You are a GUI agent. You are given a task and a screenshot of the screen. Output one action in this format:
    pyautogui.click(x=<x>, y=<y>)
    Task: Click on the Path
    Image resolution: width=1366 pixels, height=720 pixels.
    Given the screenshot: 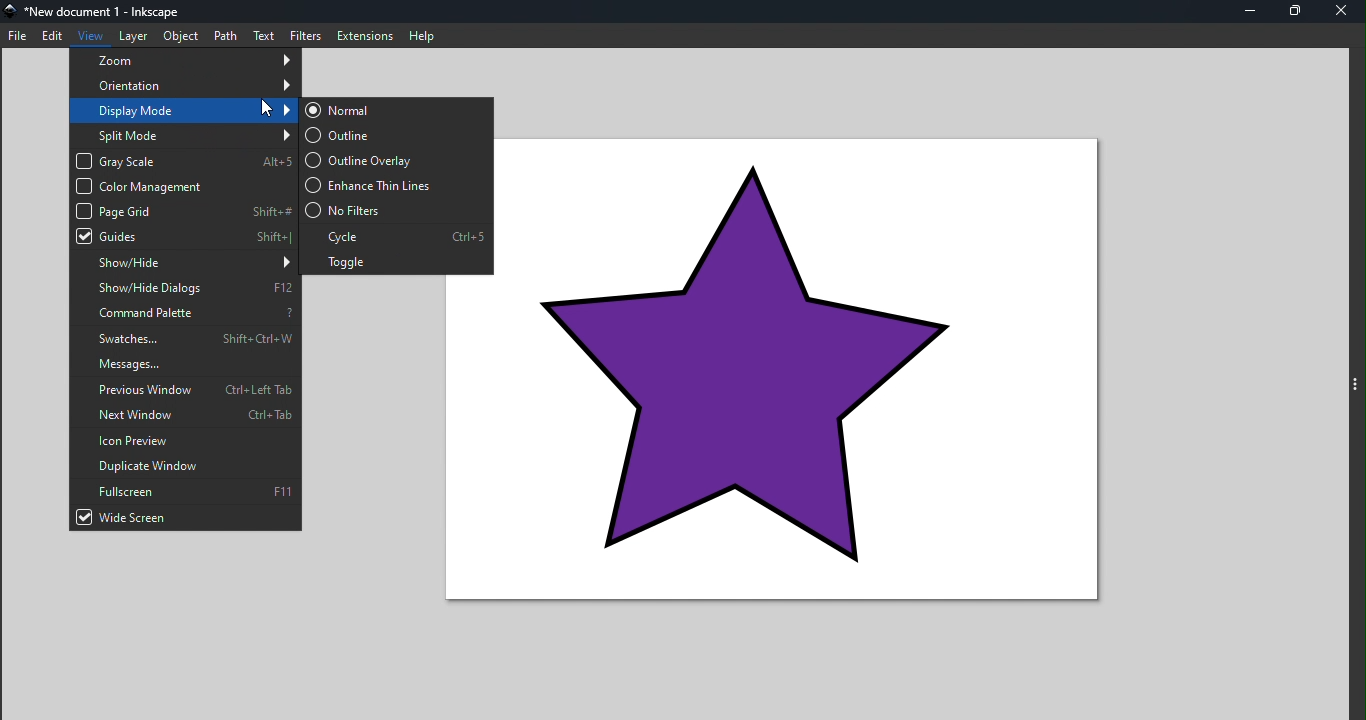 What is the action you would take?
    pyautogui.click(x=224, y=33)
    